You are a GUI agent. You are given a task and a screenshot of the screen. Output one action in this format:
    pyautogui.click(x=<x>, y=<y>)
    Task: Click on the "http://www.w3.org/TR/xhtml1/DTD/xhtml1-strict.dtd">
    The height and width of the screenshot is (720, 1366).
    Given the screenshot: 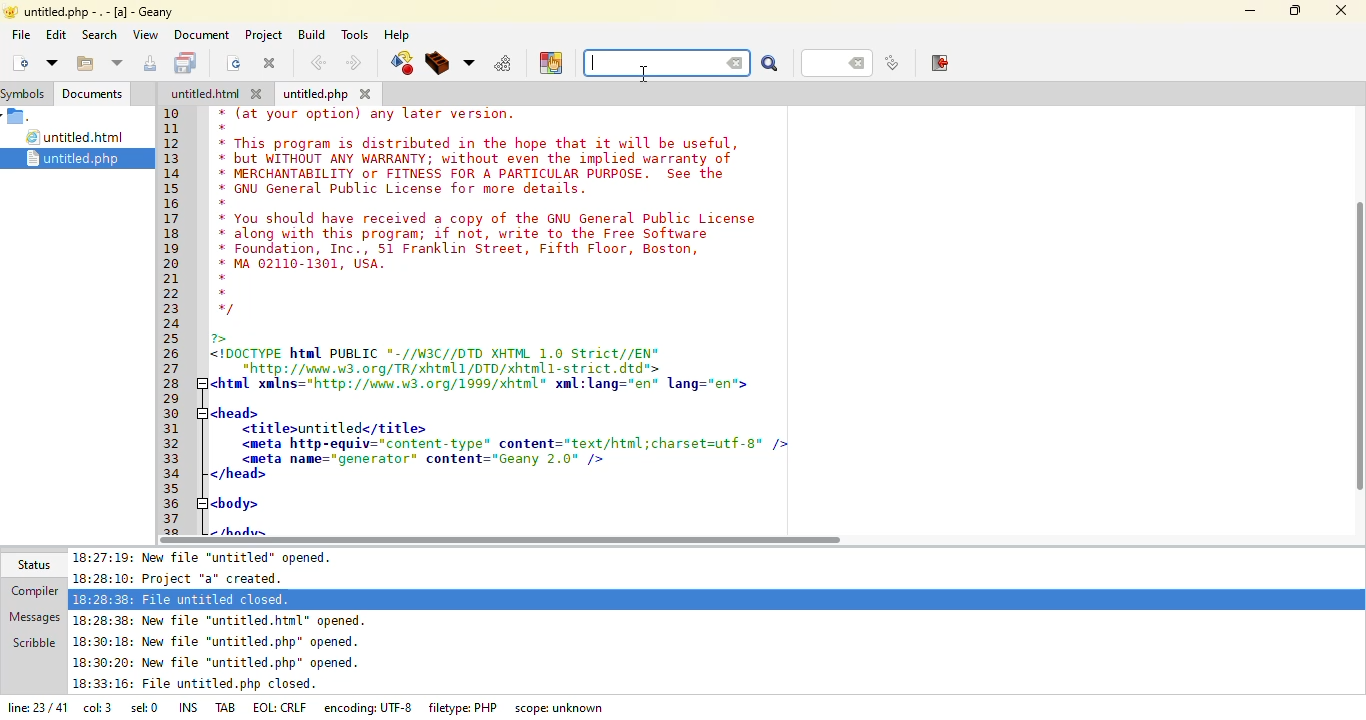 What is the action you would take?
    pyautogui.click(x=437, y=368)
    